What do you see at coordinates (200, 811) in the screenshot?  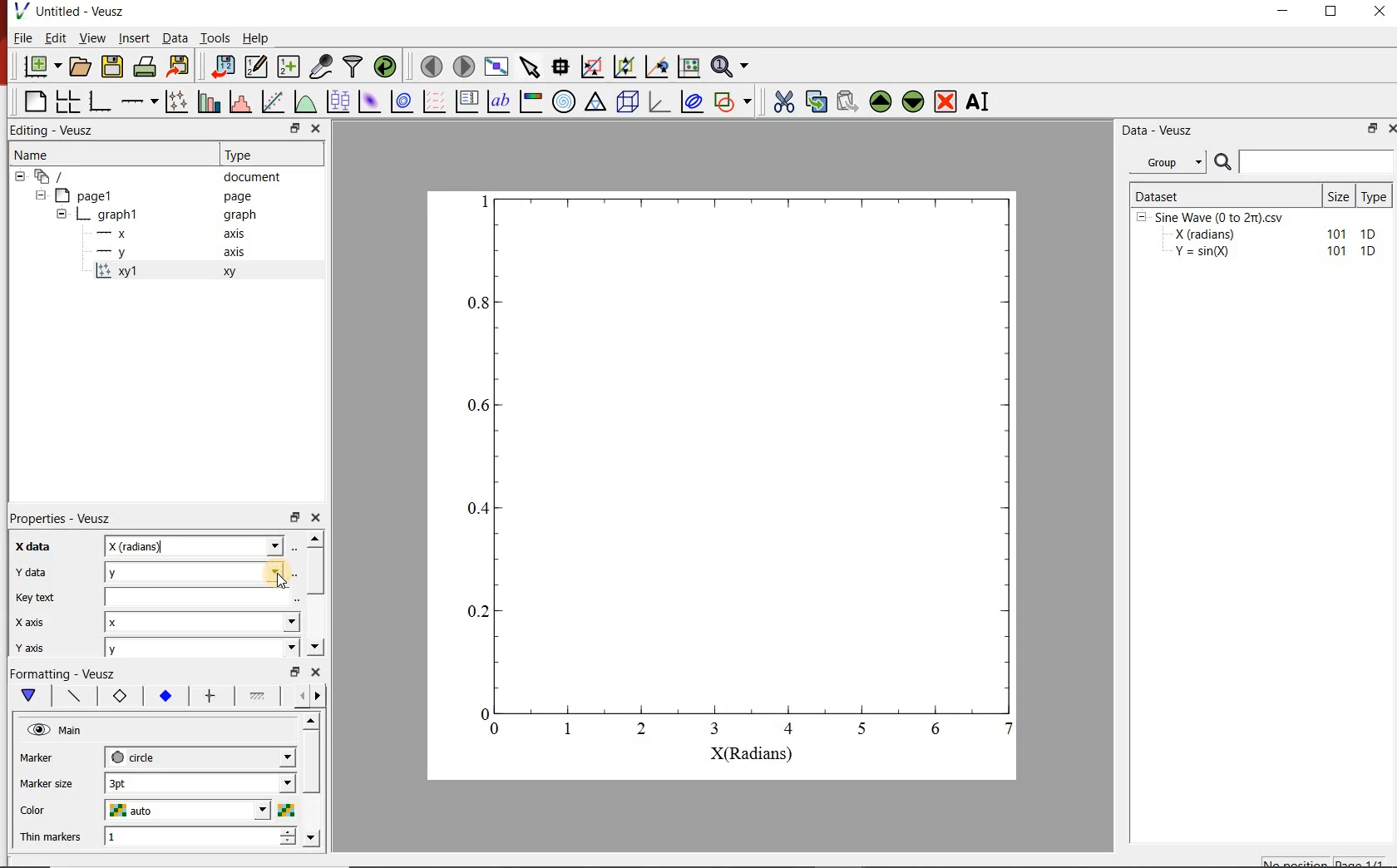 I see `auto` at bounding box center [200, 811].